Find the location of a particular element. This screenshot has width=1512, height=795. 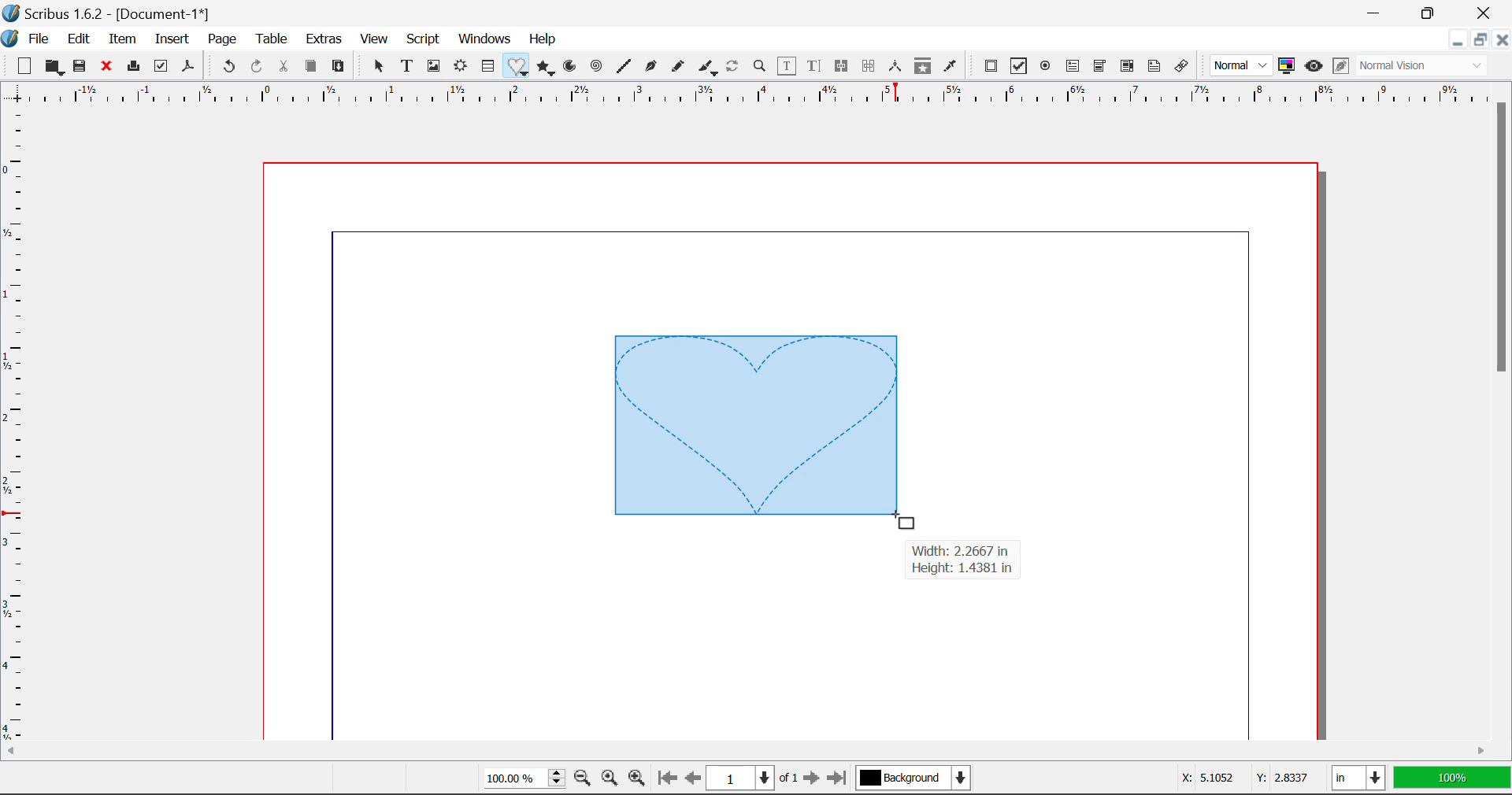

Pdf Push Button is located at coordinates (991, 66).